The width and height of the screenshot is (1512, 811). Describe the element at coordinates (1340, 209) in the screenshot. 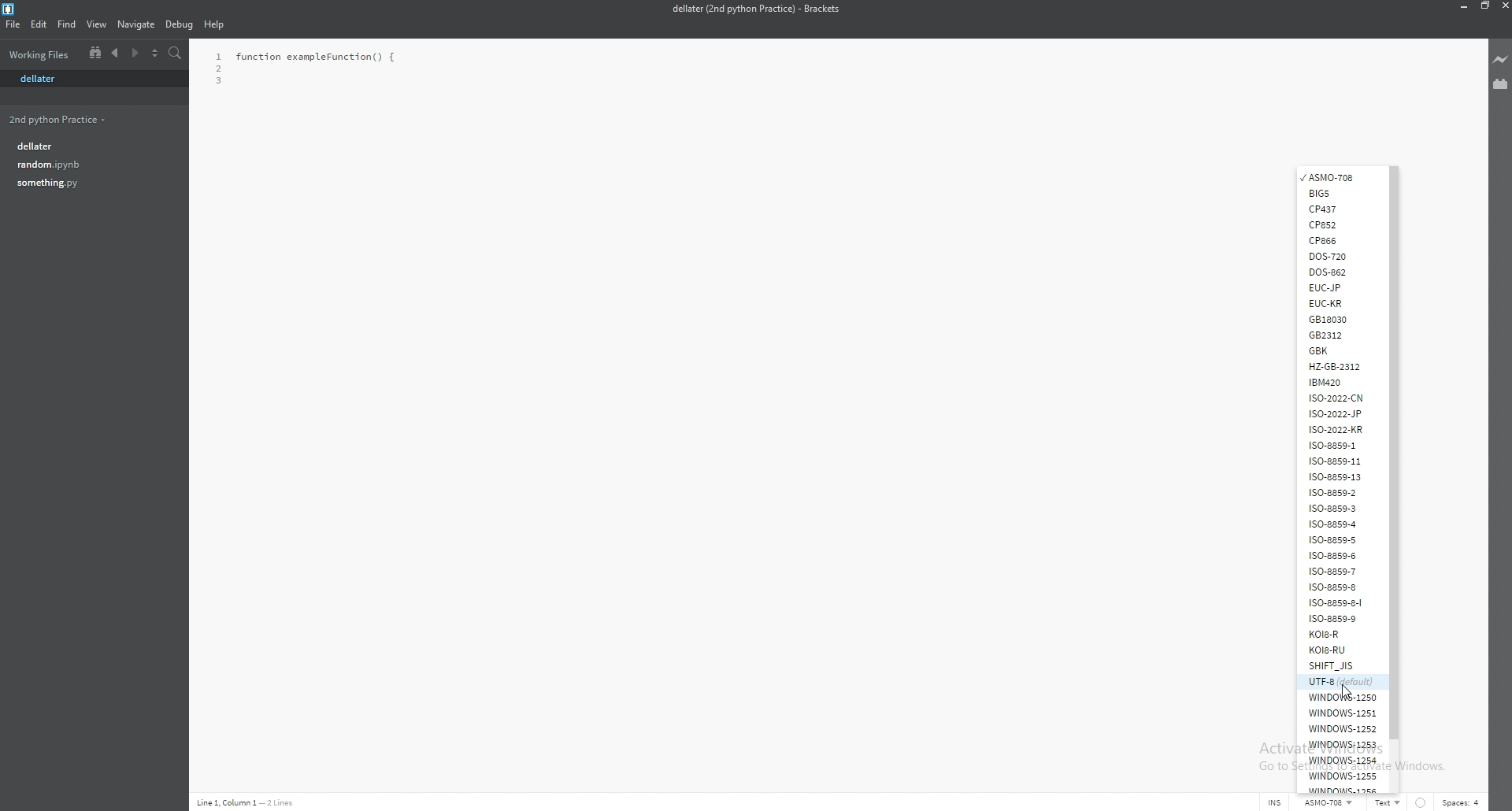

I see `cp 437` at that location.